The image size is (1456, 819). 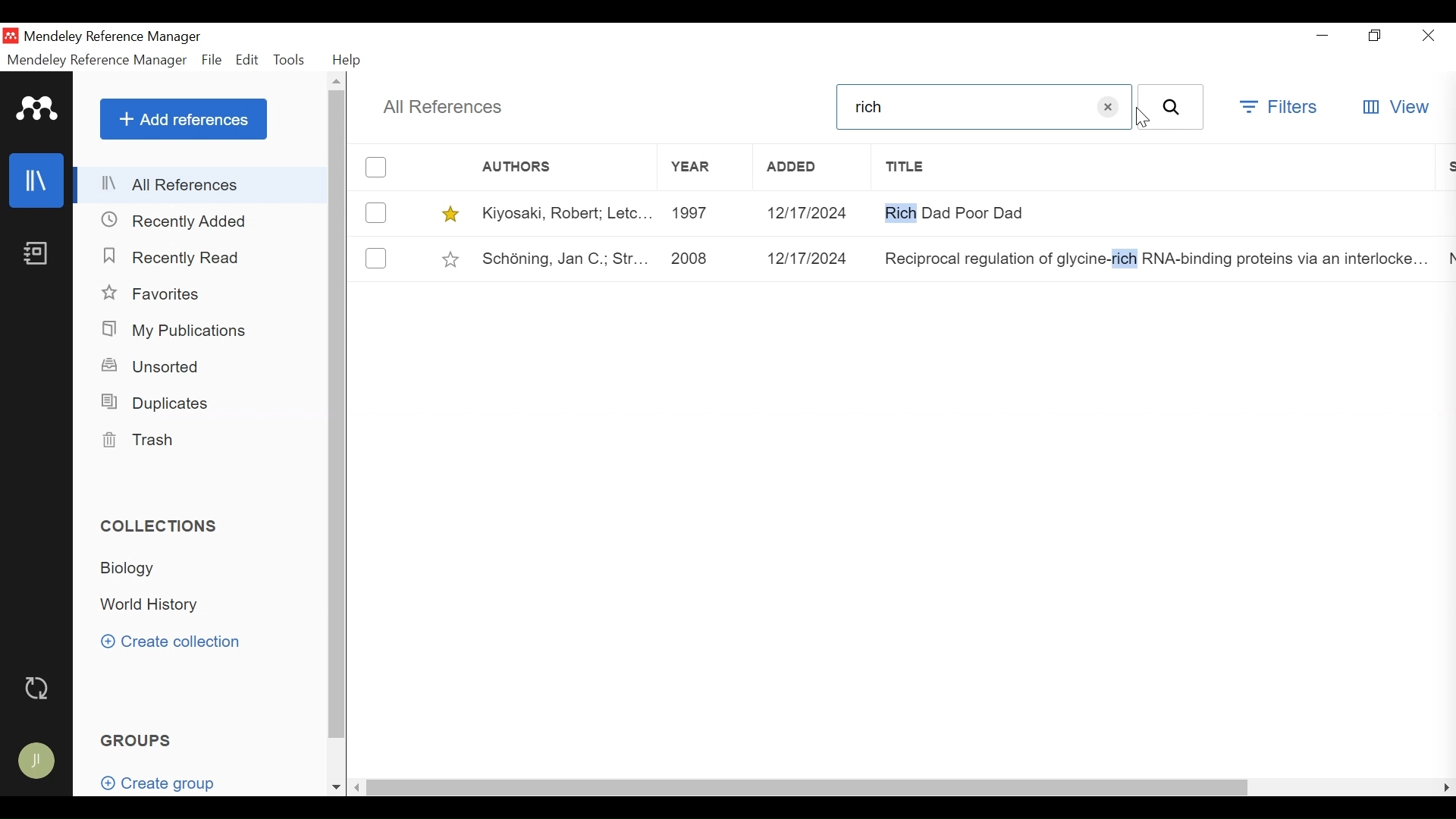 I want to click on Close, so click(x=1427, y=35).